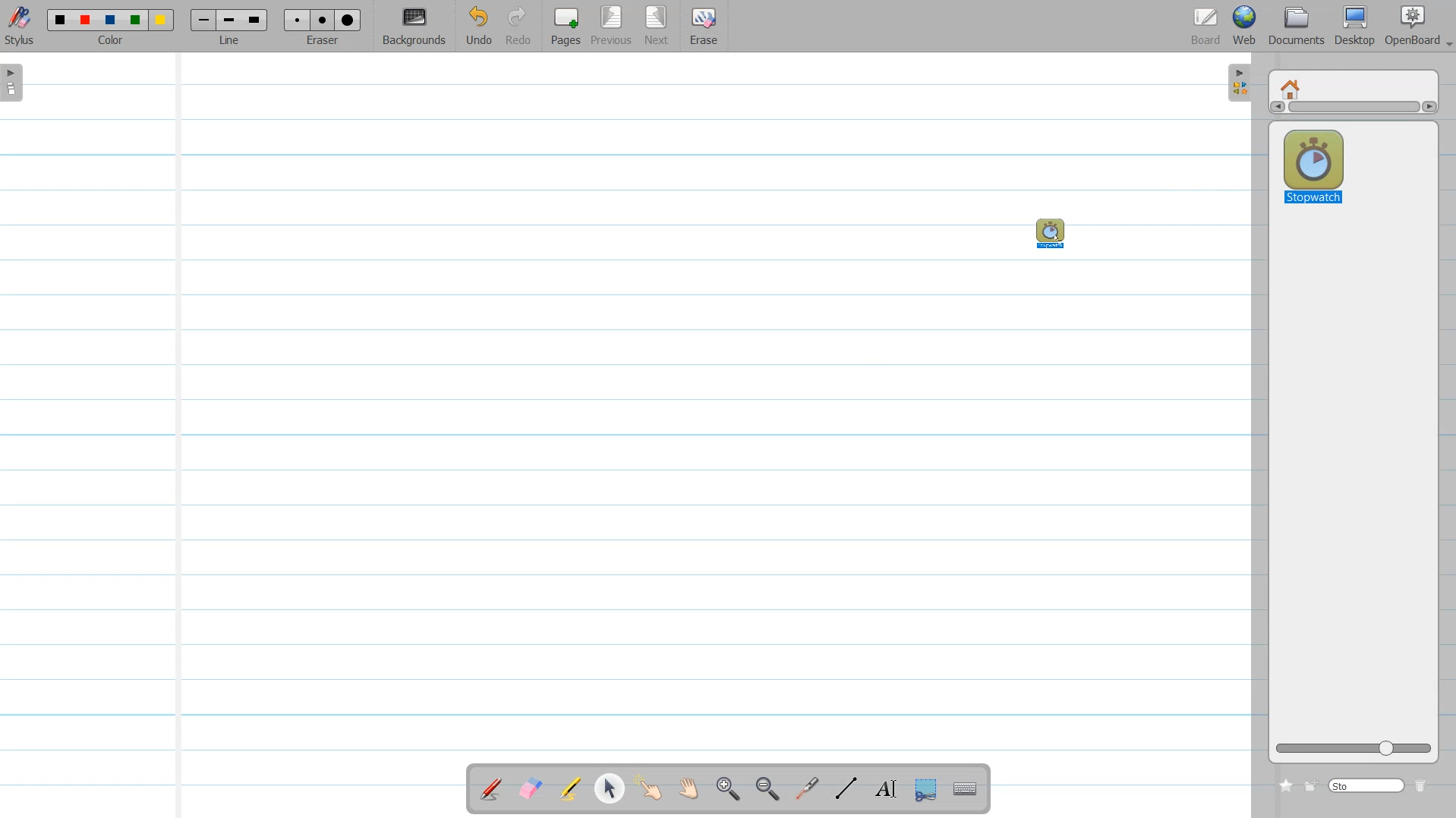  I want to click on Virtual laser pointer, so click(807, 789).